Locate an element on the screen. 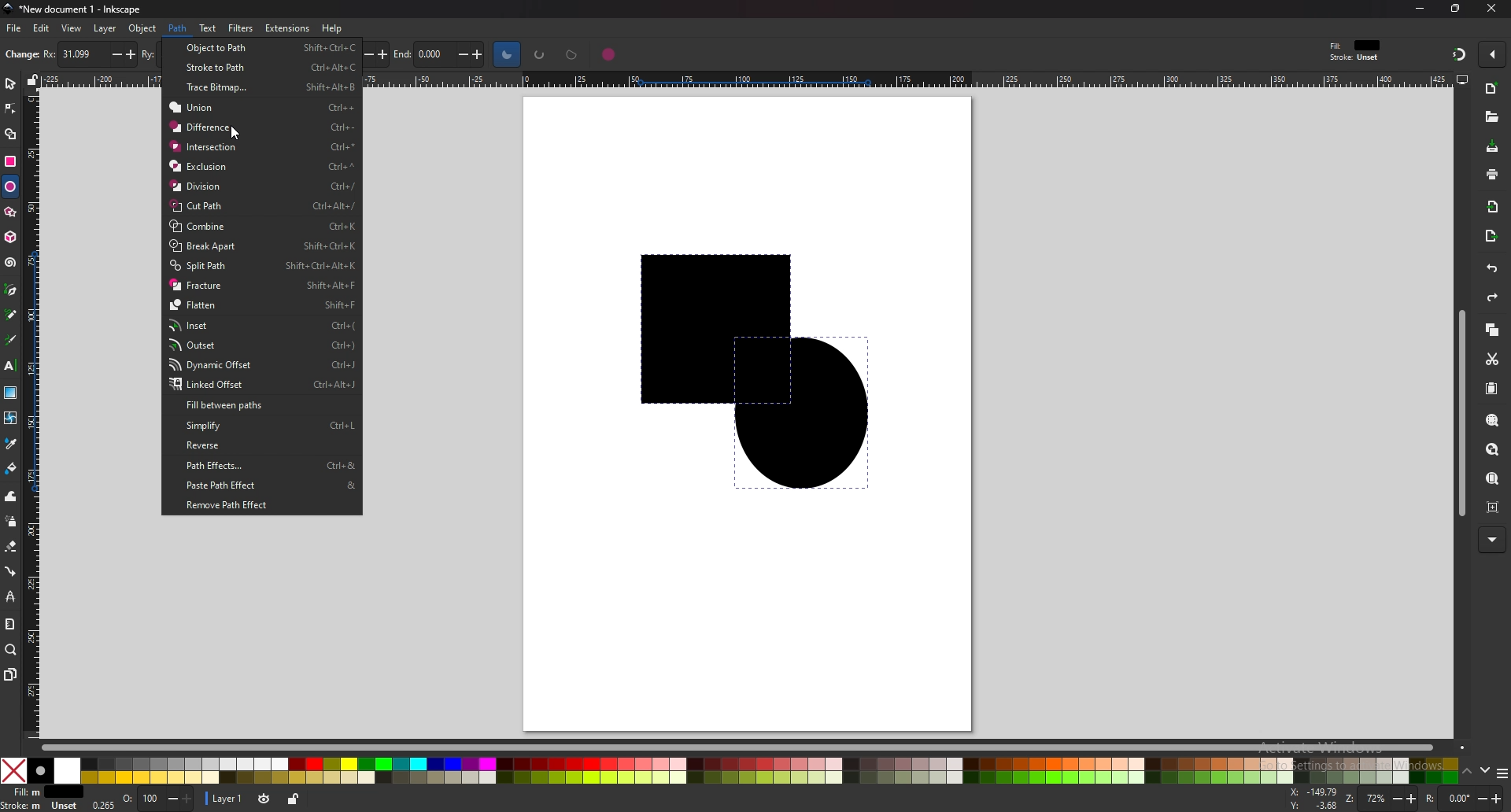 The height and width of the screenshot is (812, 1511). export is located at coordinates (1492, 237).